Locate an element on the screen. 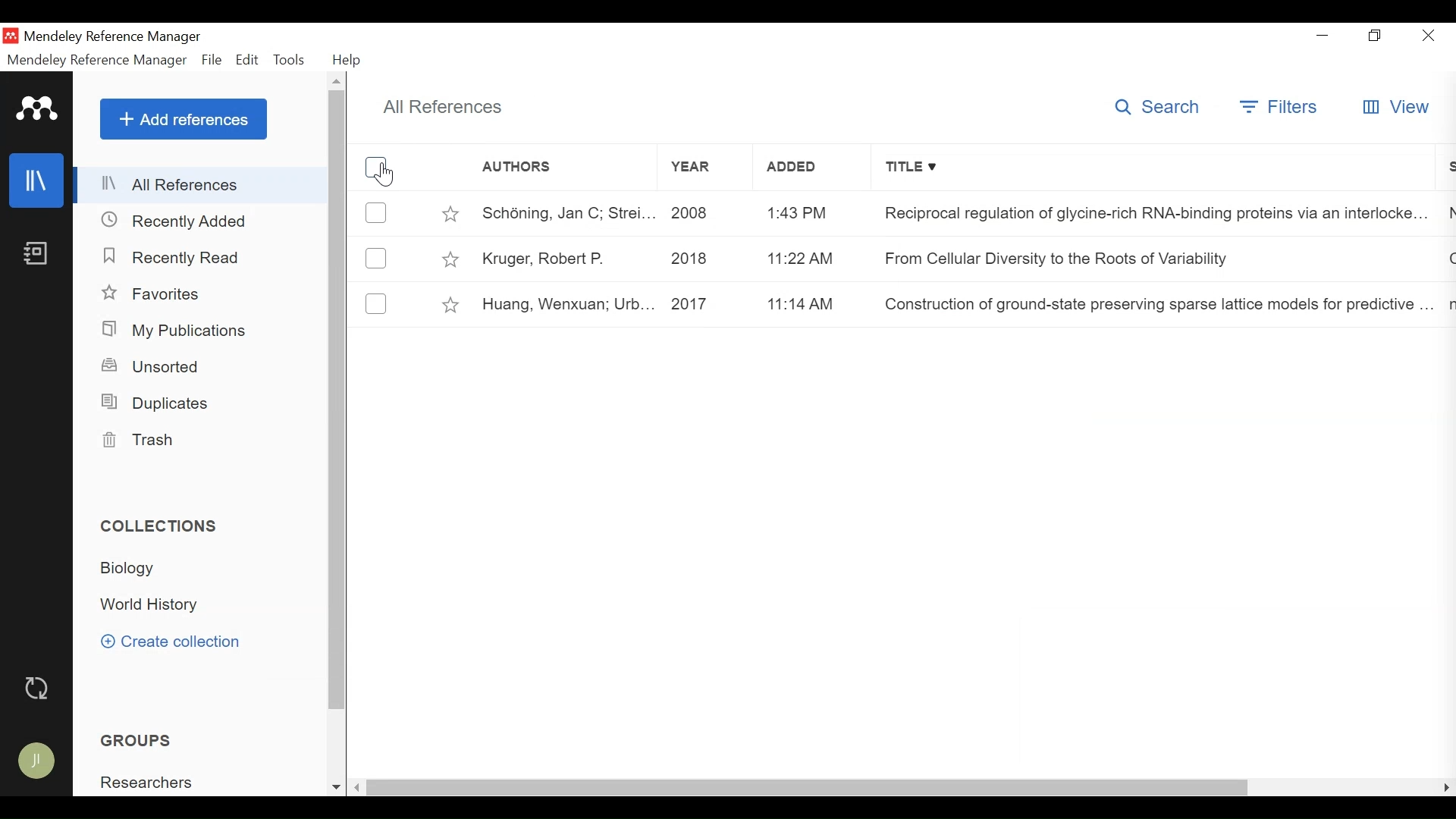  Scroll up is located at coordinates (336, 82).